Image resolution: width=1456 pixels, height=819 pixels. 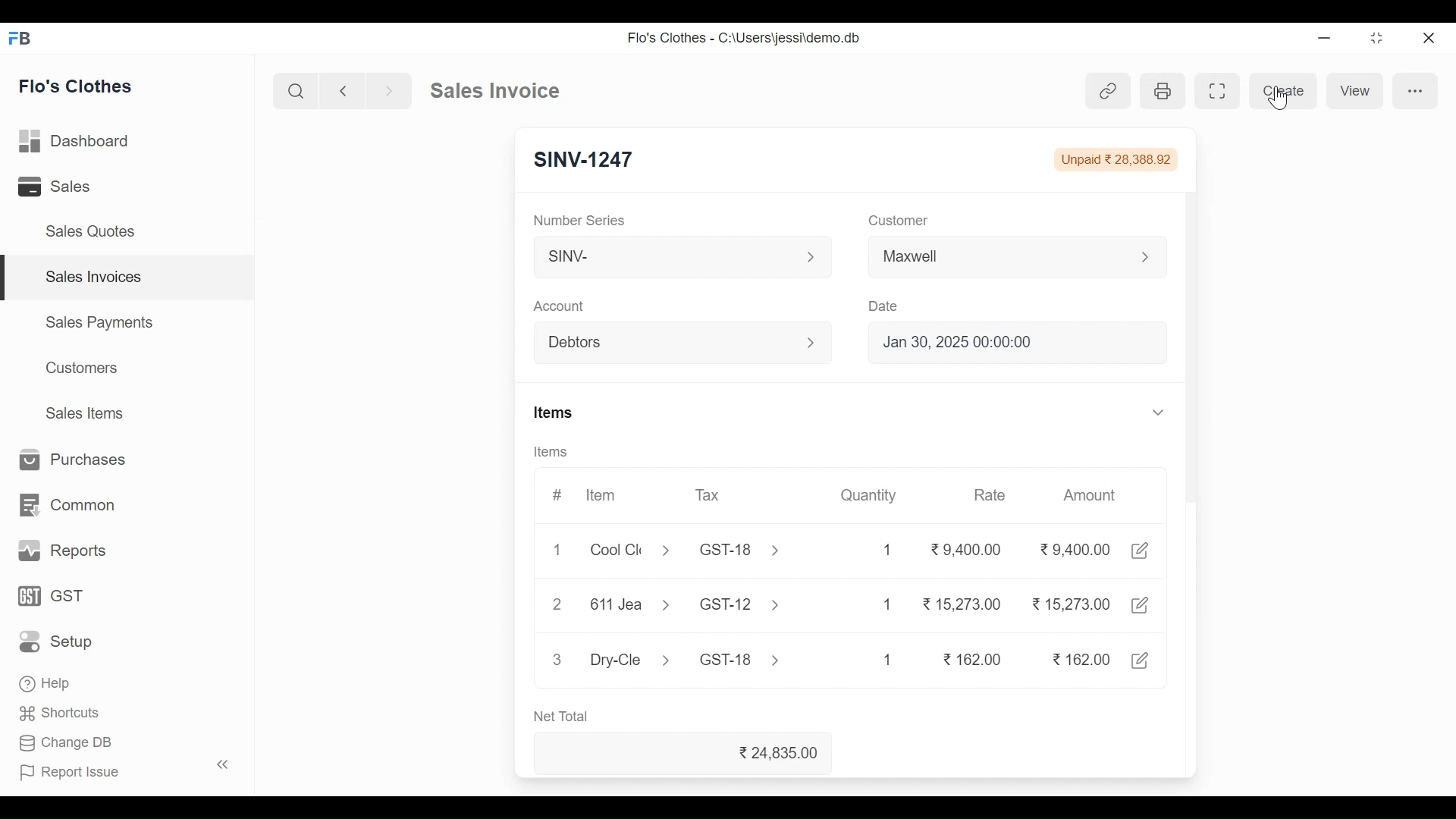 I want to click on Account, so click(x=561, y=306).